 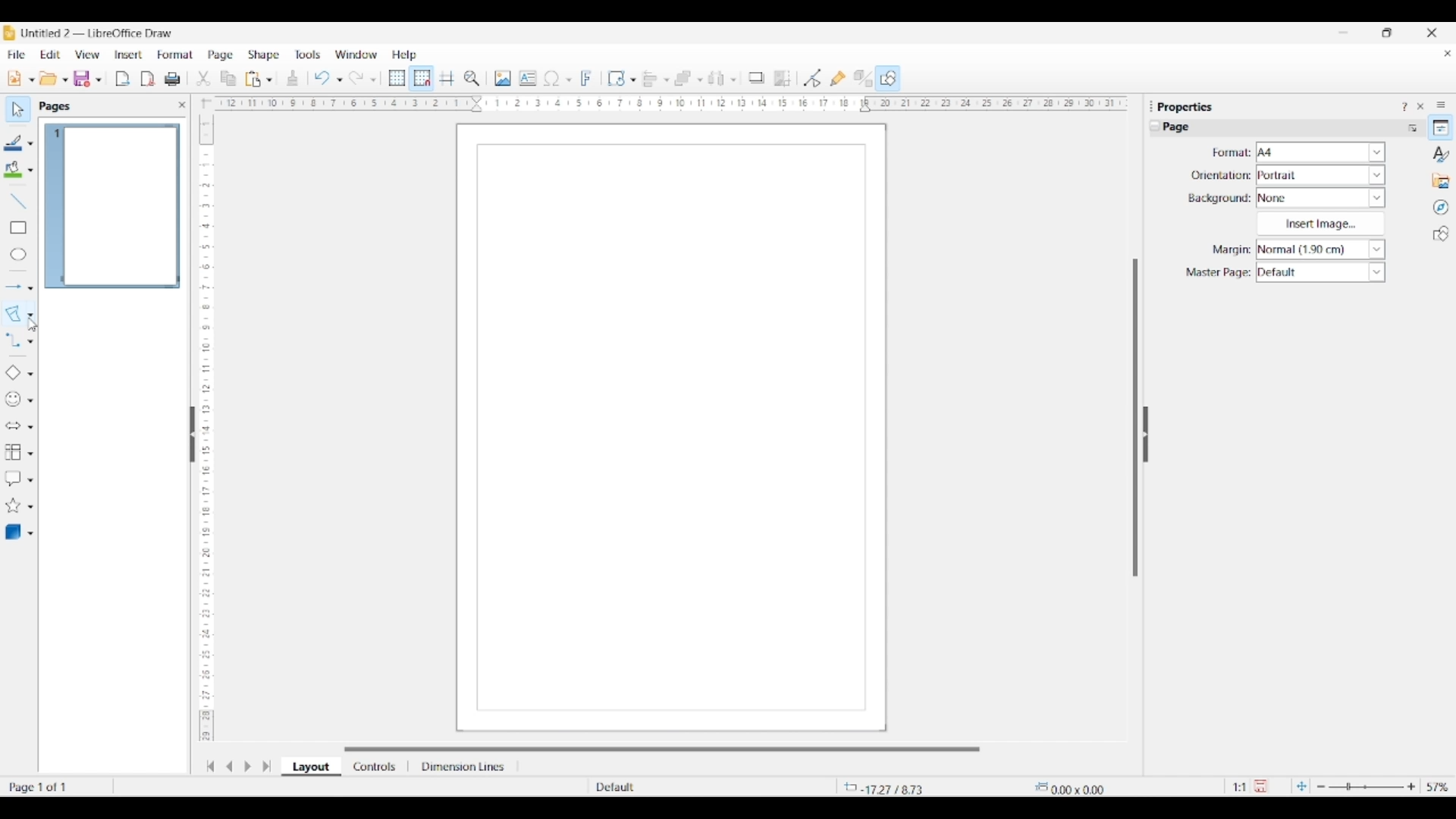 What do you see at coordinates (890, 787) in the screenshot?
I see `Cursor co-ordinates` at bounding box center [890, 787].